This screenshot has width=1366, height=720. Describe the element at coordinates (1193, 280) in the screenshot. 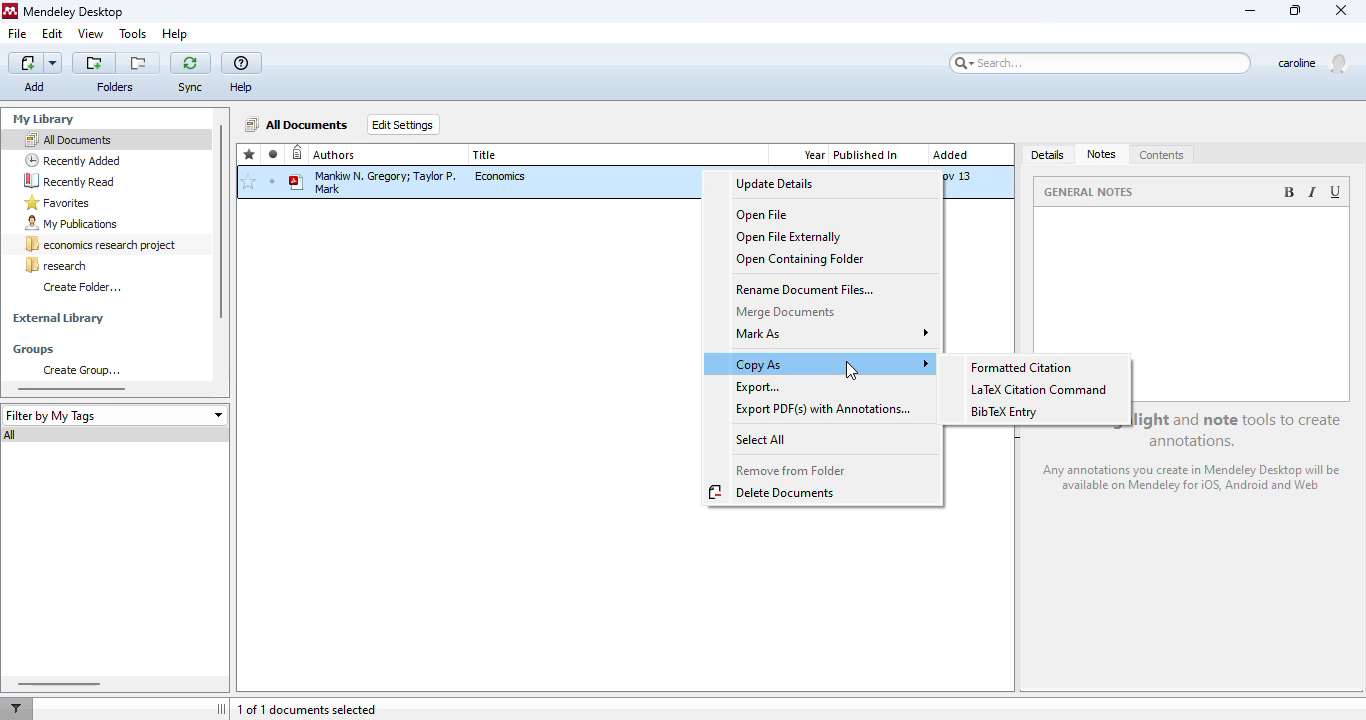

I see `notes section` at that location.